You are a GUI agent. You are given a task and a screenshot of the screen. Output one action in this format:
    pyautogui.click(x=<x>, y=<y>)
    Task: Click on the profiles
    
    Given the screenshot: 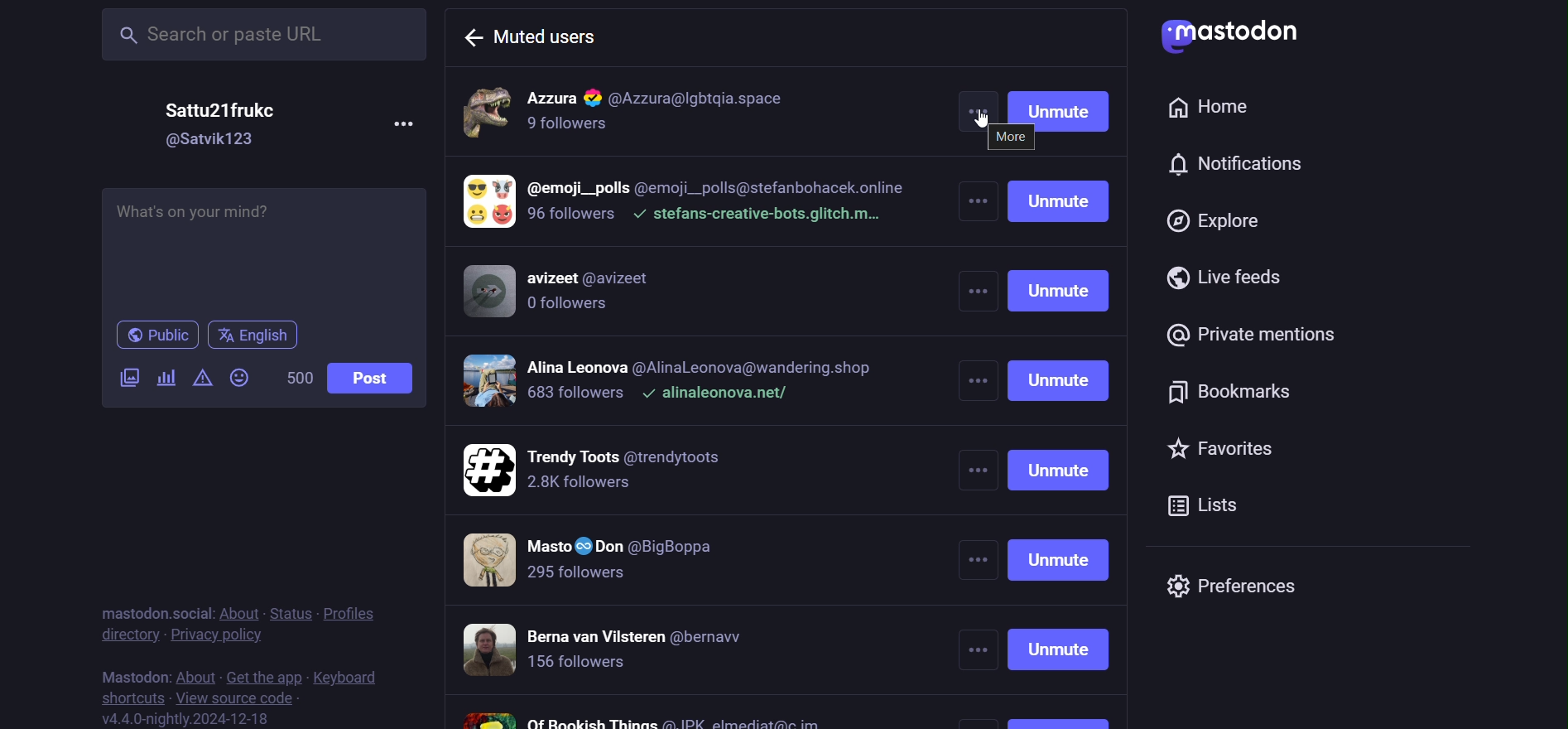 What is the action you would take?
    pyautogui.click(x=349, y=616)
    